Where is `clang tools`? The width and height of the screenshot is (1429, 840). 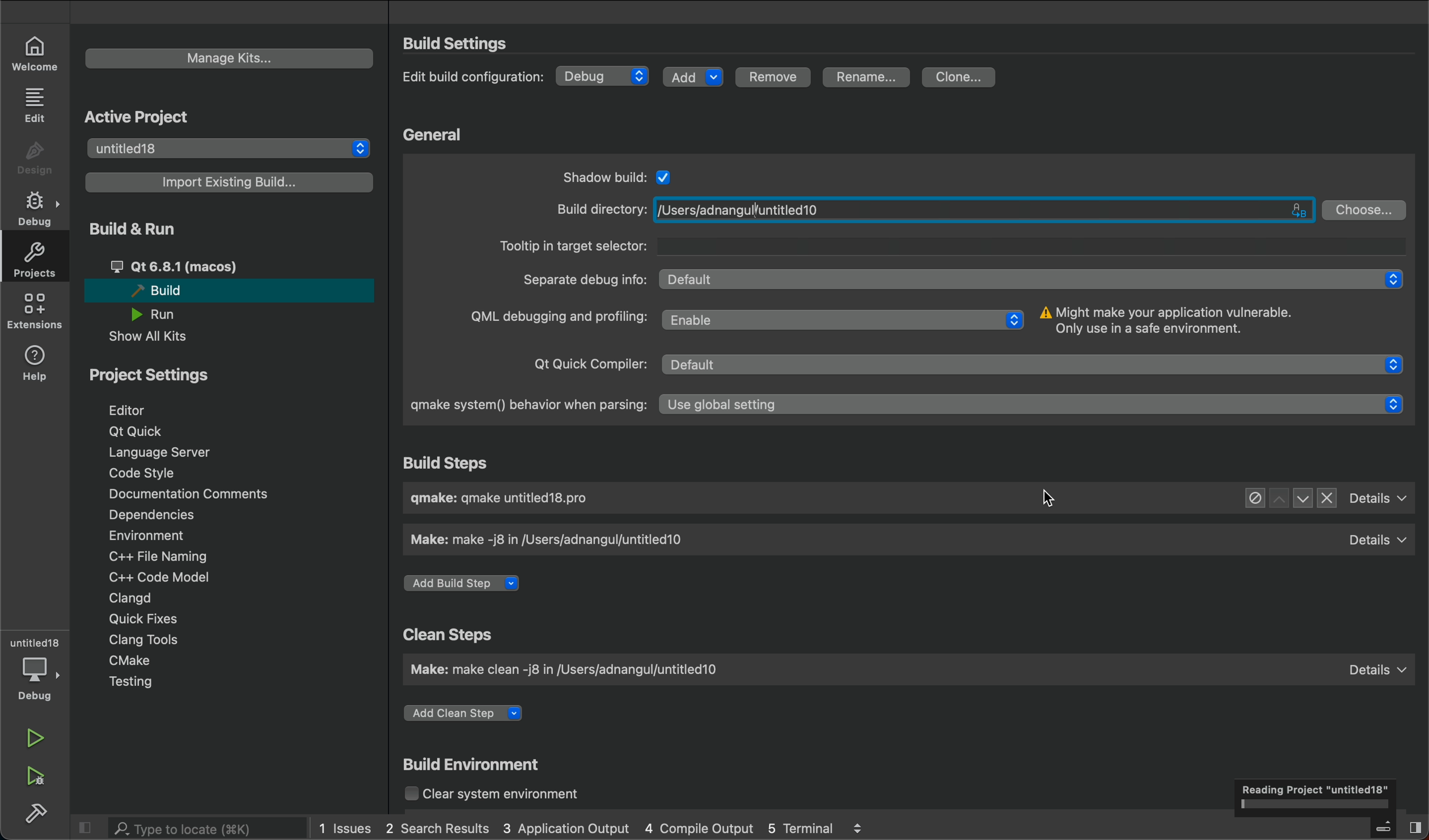
clang tools is located at coordinates (147, 639).